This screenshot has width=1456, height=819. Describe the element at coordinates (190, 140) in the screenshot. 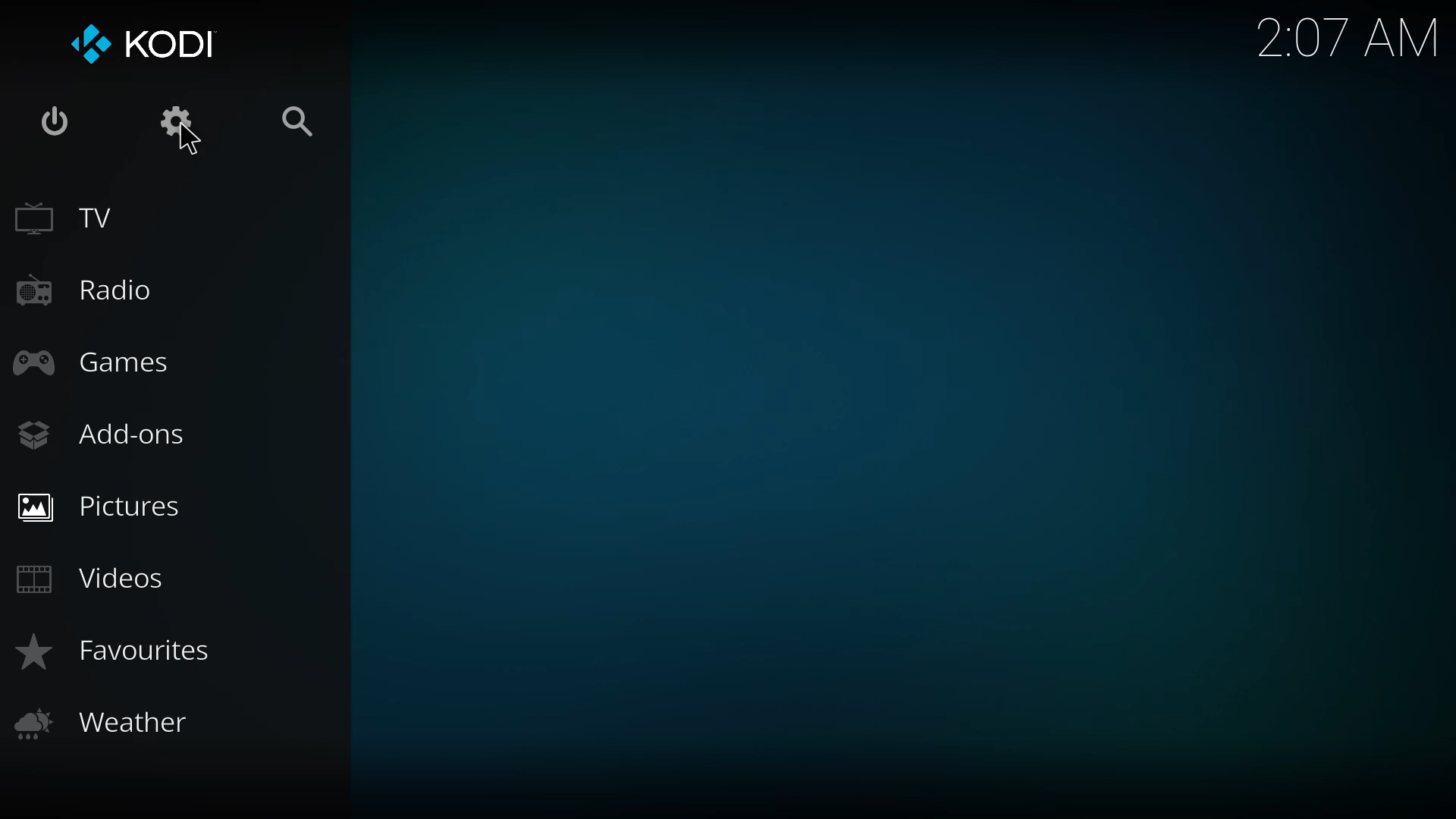

I see `cursor` at that location.